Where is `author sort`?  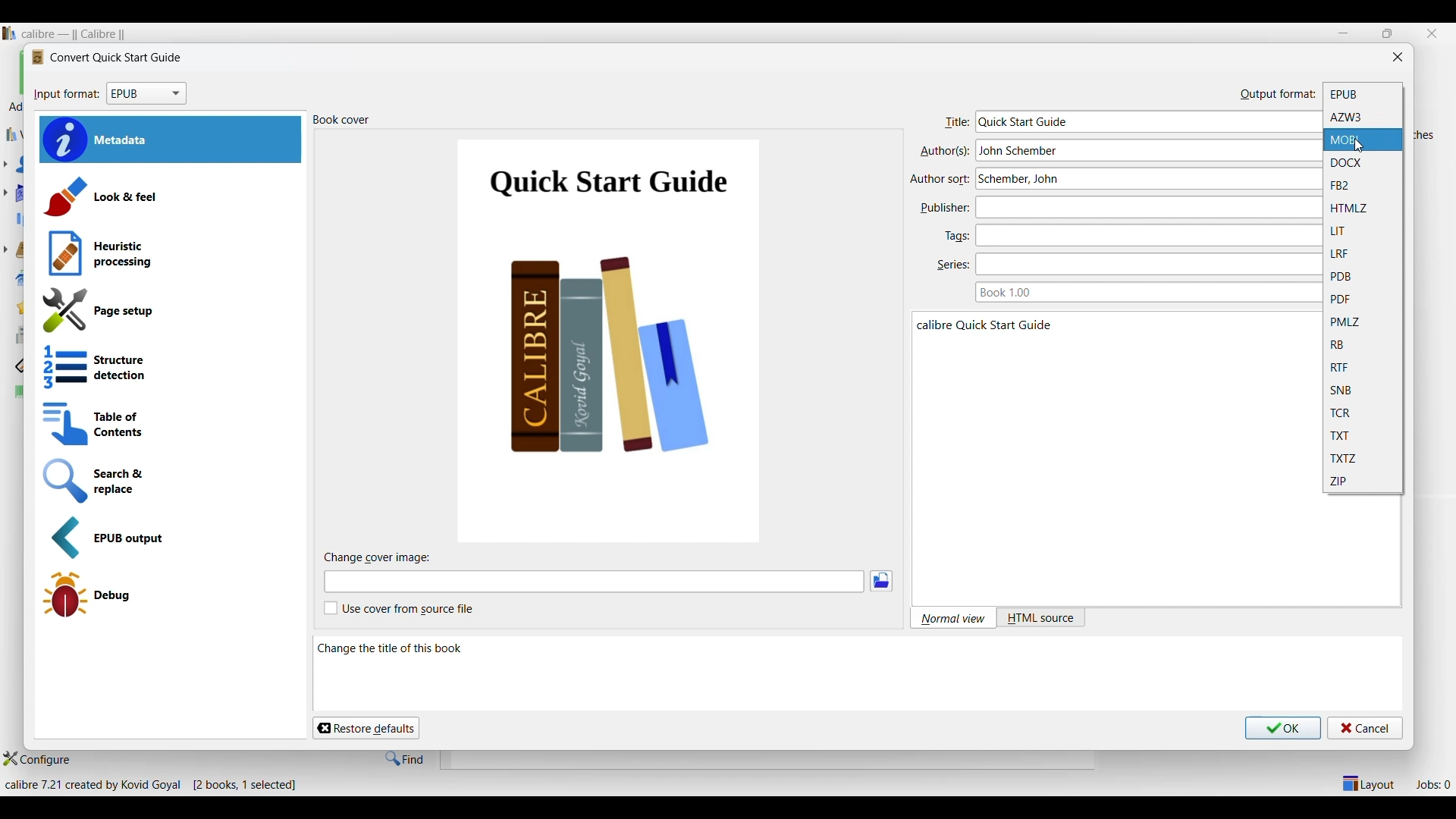
author sort is located at coordinates (941, 178).